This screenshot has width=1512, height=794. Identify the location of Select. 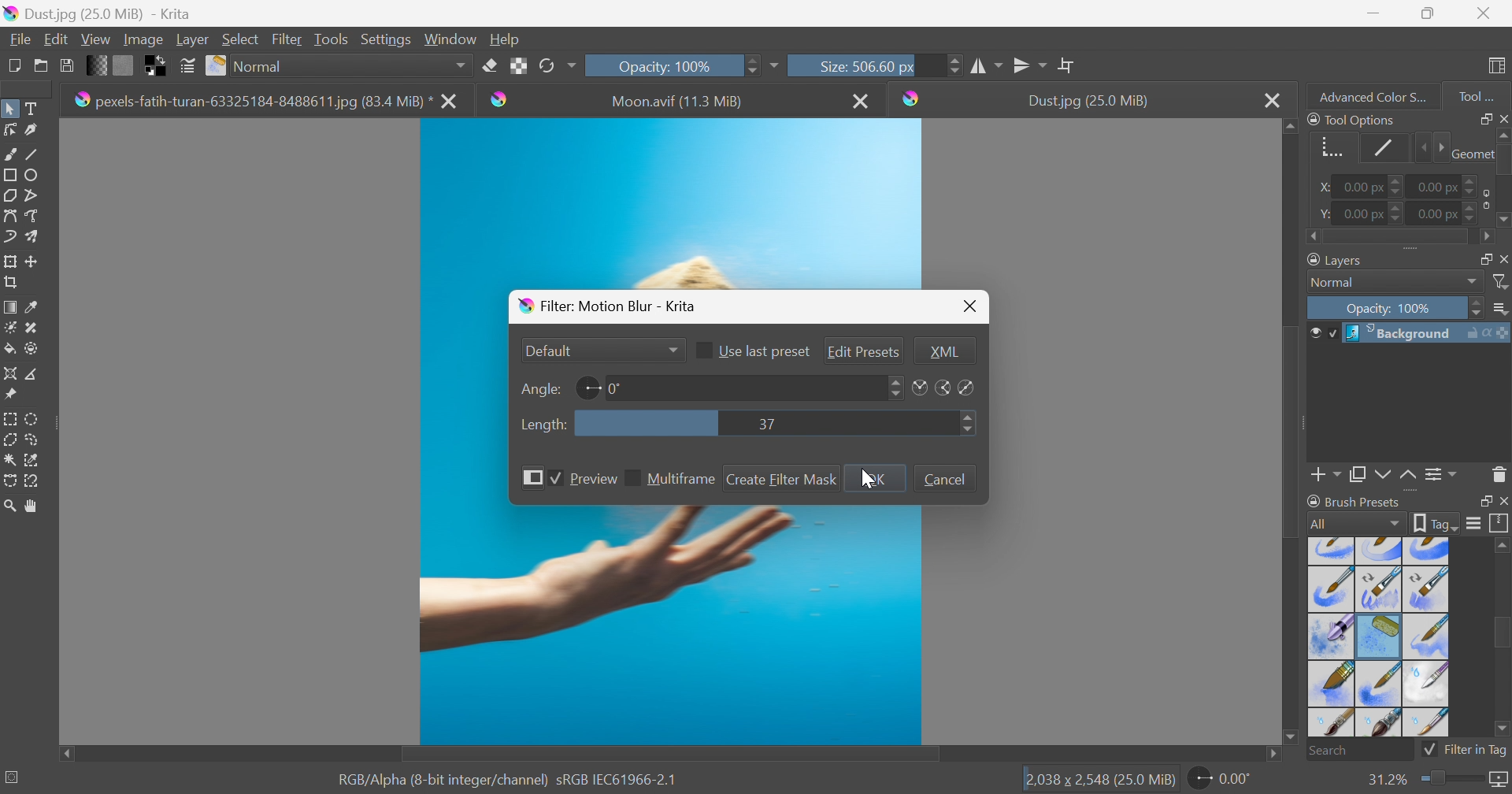
(241, 39).